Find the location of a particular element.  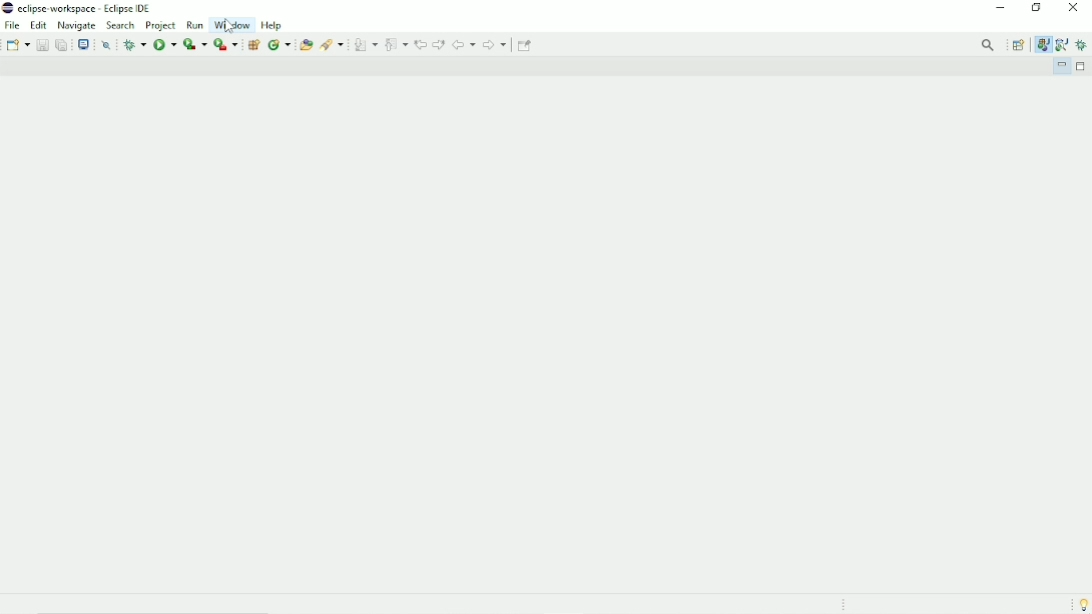

File is located at coordinates (12, 25).